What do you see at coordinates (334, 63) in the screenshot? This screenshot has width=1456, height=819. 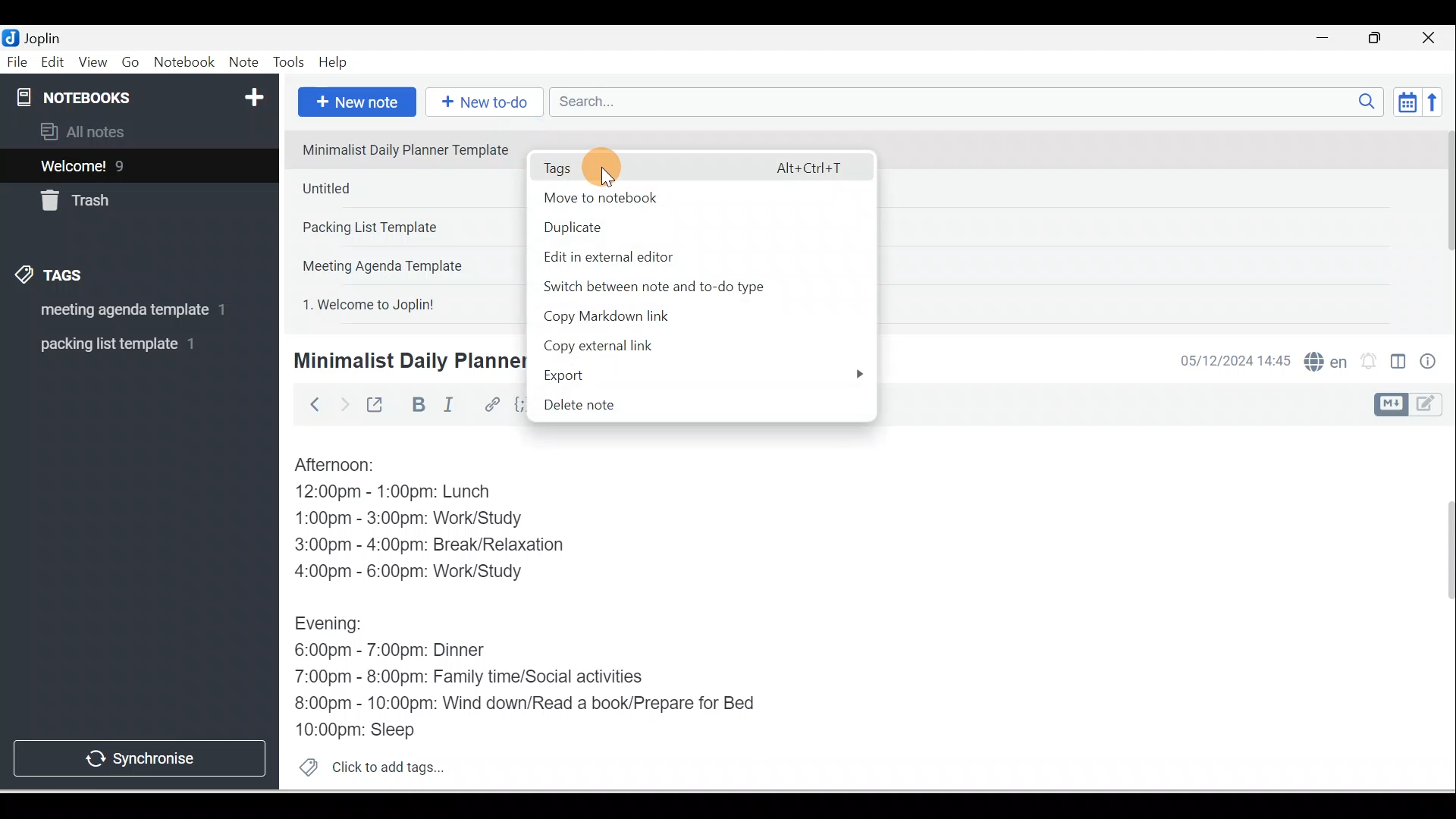 I see `Help` at bounding box center [334, 63].